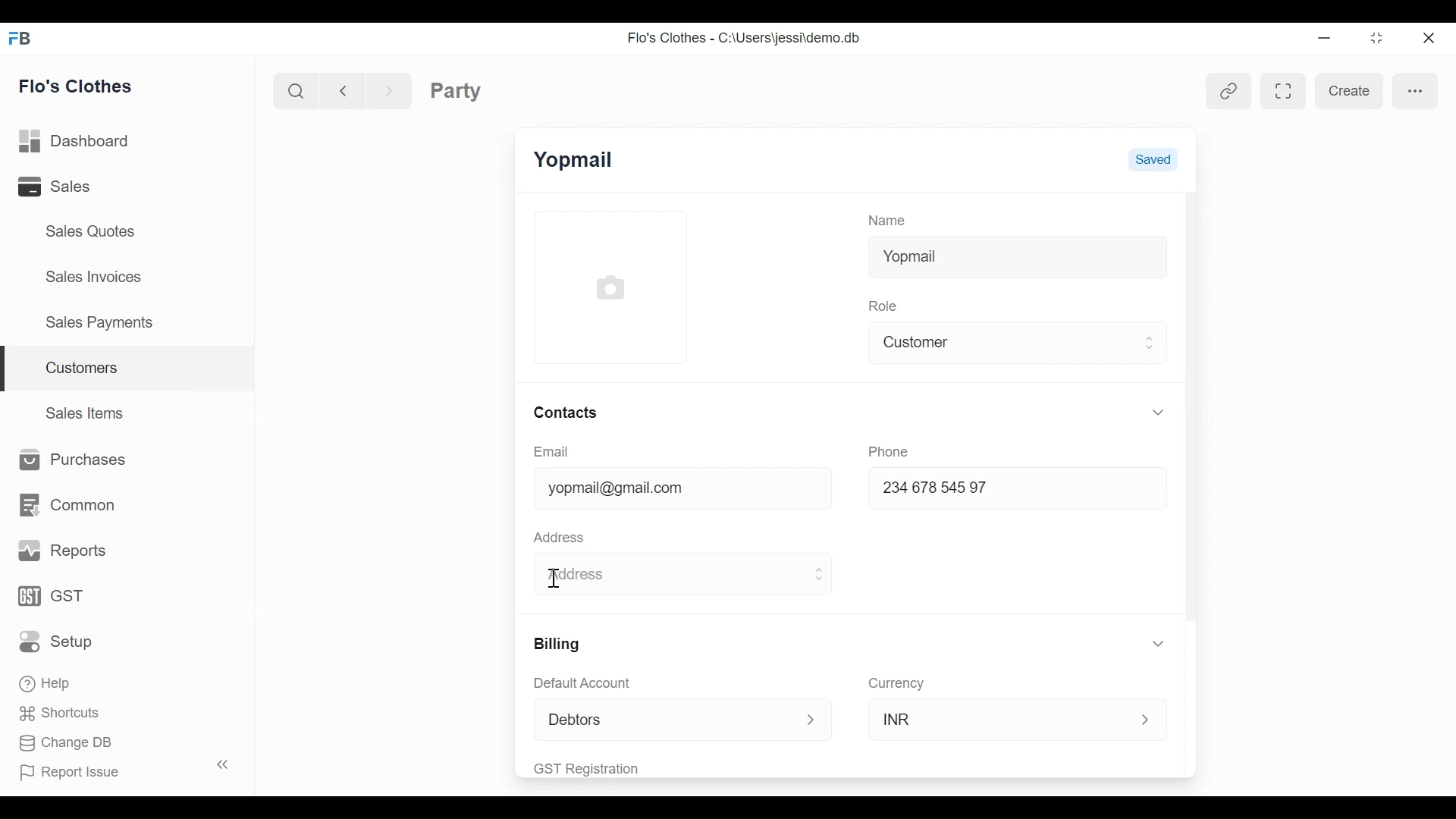 The width and height of the screenshot is (1456, 819). I want to click on Shortcuts, so click(55, 712).